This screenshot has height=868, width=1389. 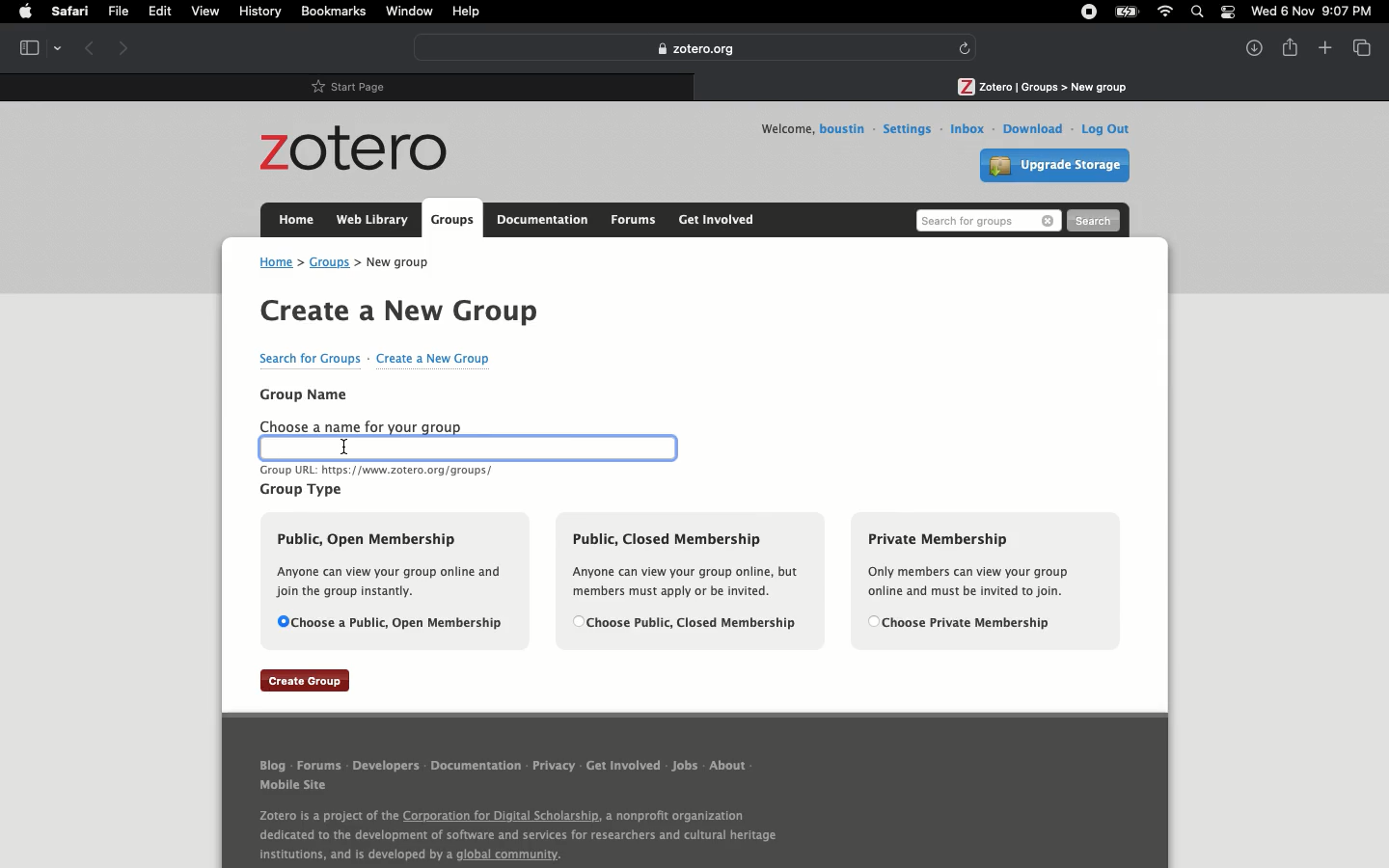 What do you see at coordinates (311, 786) in the screenshot?
I see `Mobile site` at bounding box center [311, 786].